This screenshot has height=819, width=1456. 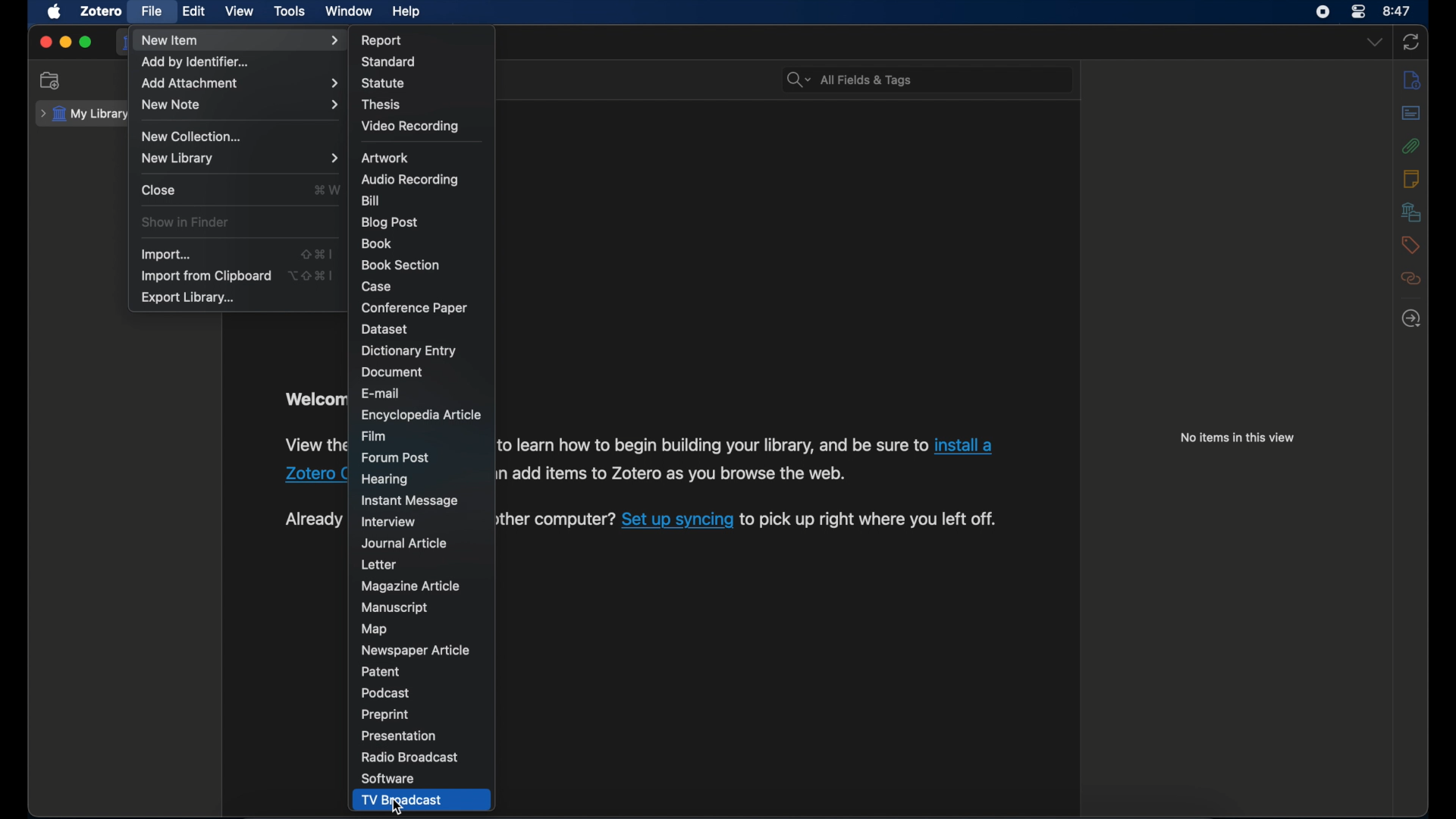 I want to click on 8.46, so click(x=1398, y=11).